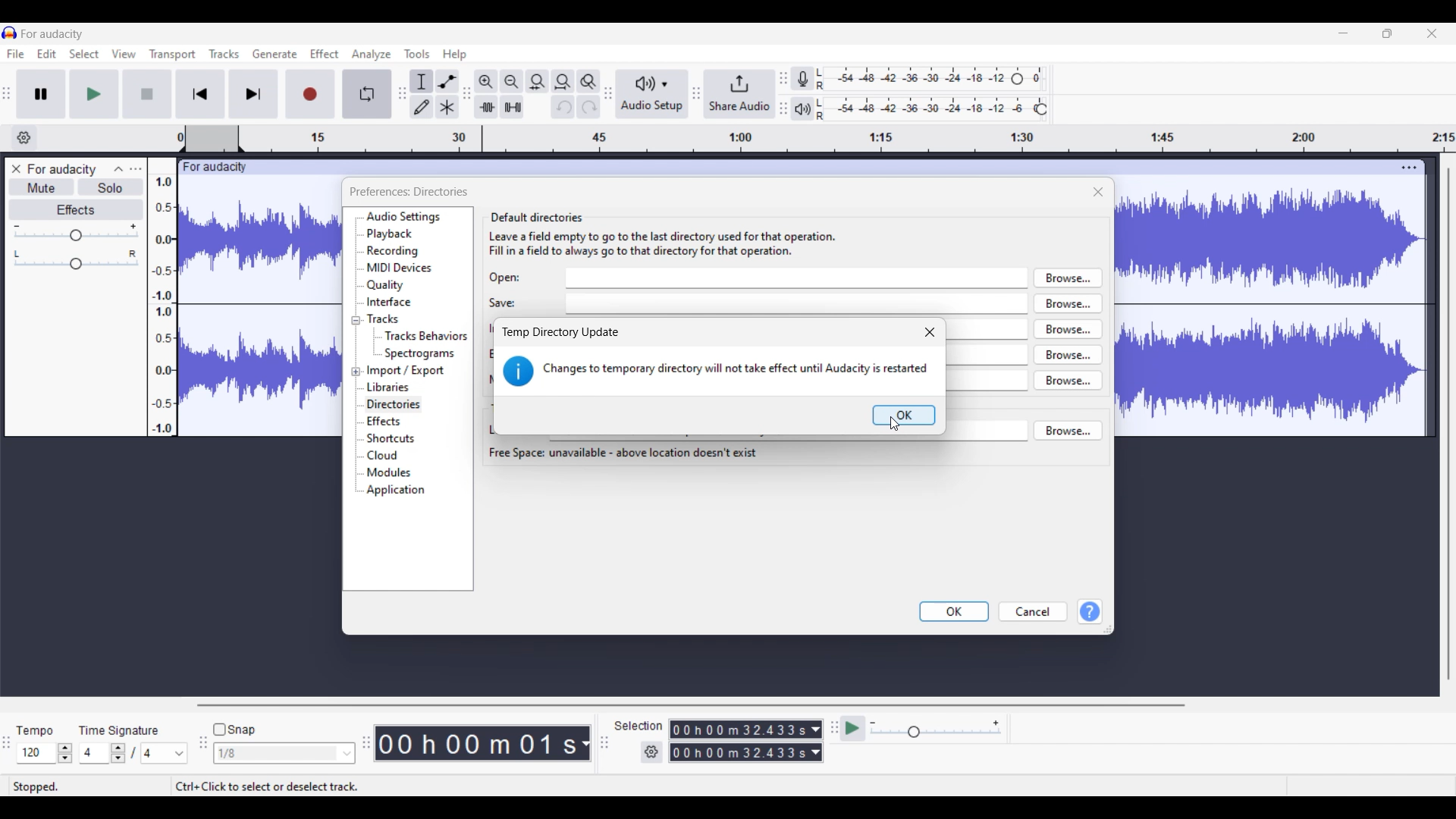  Describe the element at coordinates (421, 354) in the screenshot. I see `Spectrograms` at that location.